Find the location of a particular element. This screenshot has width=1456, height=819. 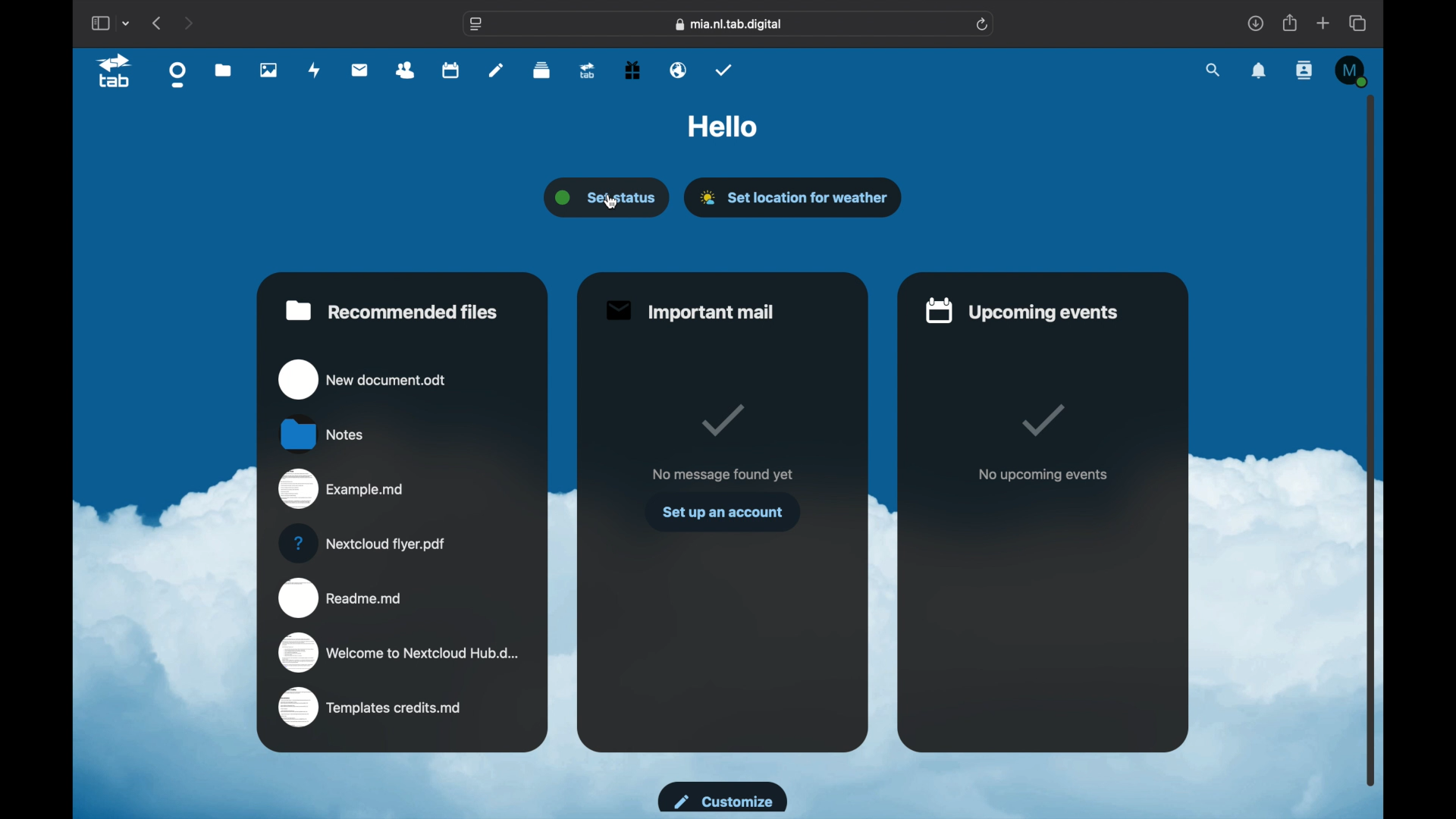

hello is located at coordinates (723, 126).